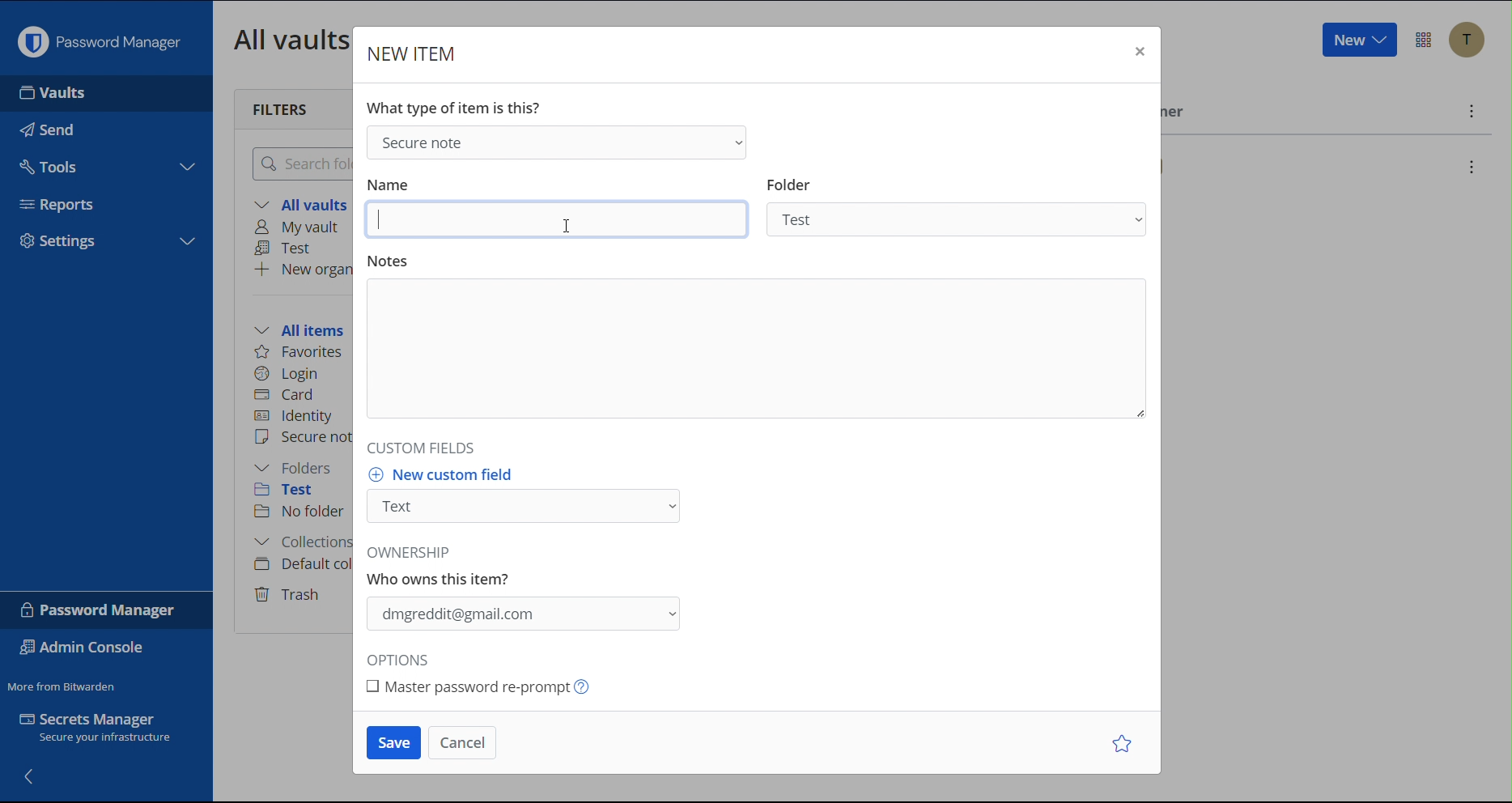 The height and width of the screenshot is (803, 1512). Describe the element at coordinates (403, 661) in the screenshot. I see `Options` at that location.